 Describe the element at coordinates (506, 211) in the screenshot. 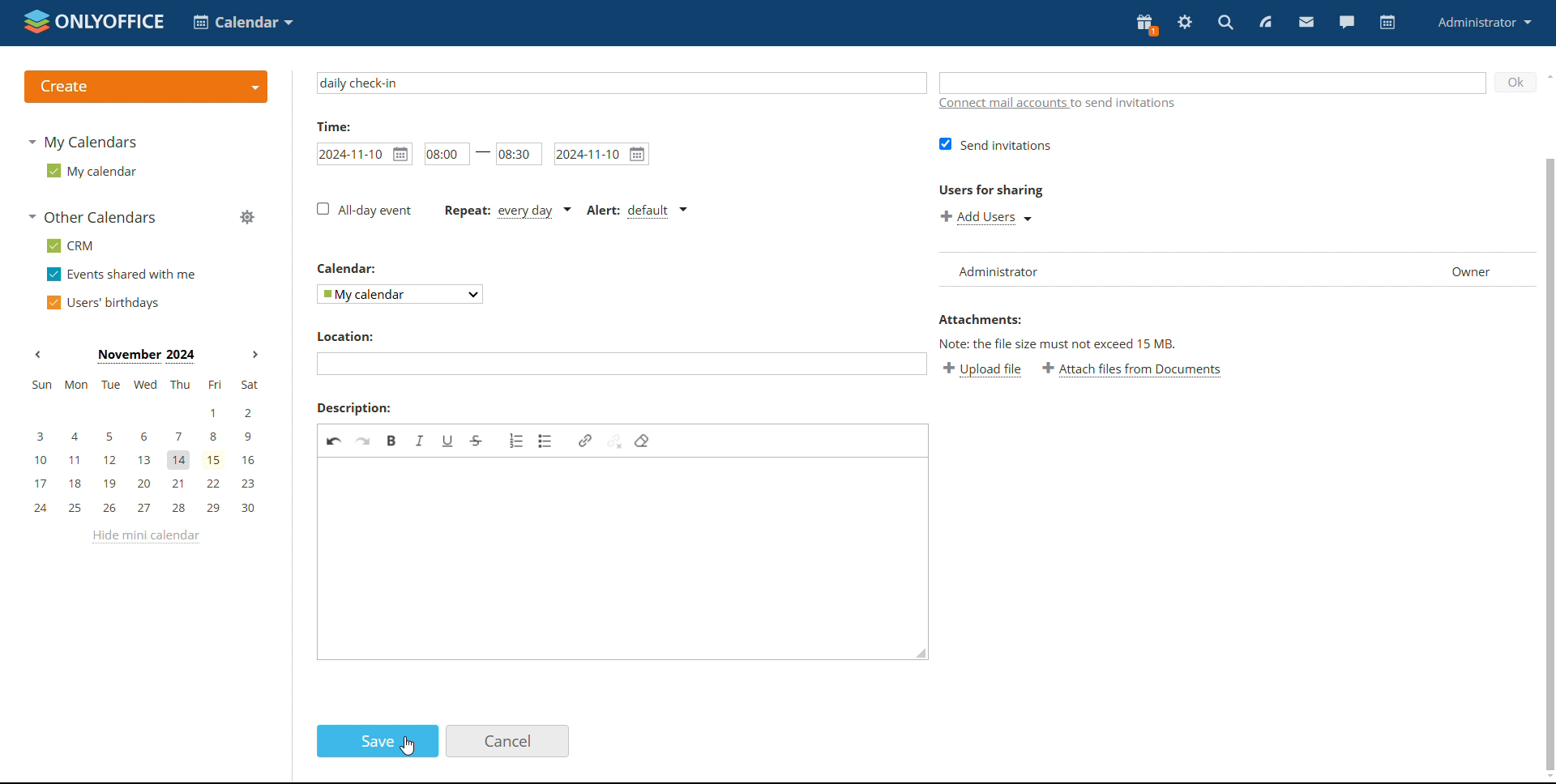

I see `daily meeting set` at that location.